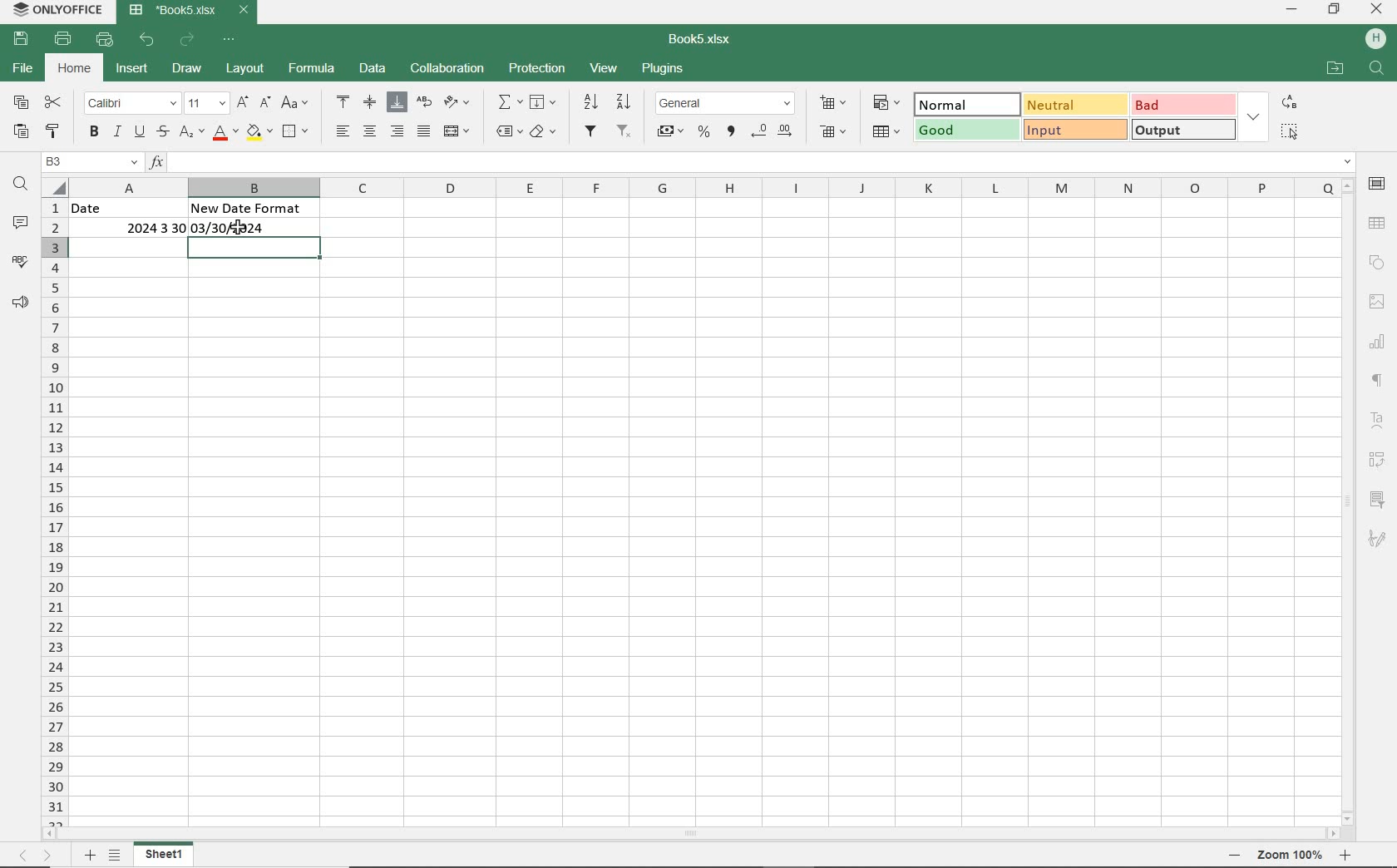  What do you see at coordinates (544, 131) in the screenshot?
I see `CLEAR` at bounding box center [544, 131].